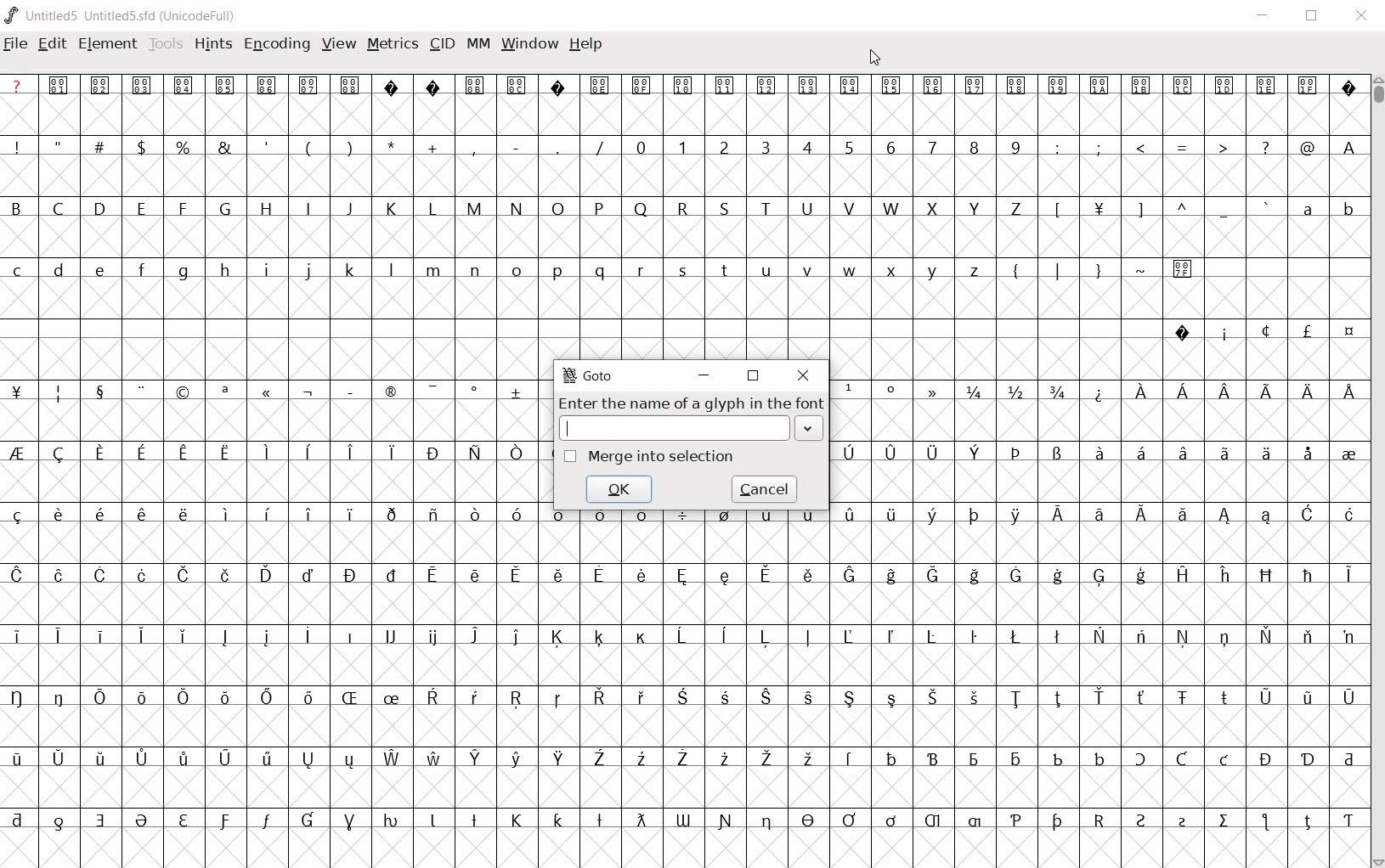 The width and height of the screenshot is (1385, 868). I want to click on Symbol, so click(517, 820).